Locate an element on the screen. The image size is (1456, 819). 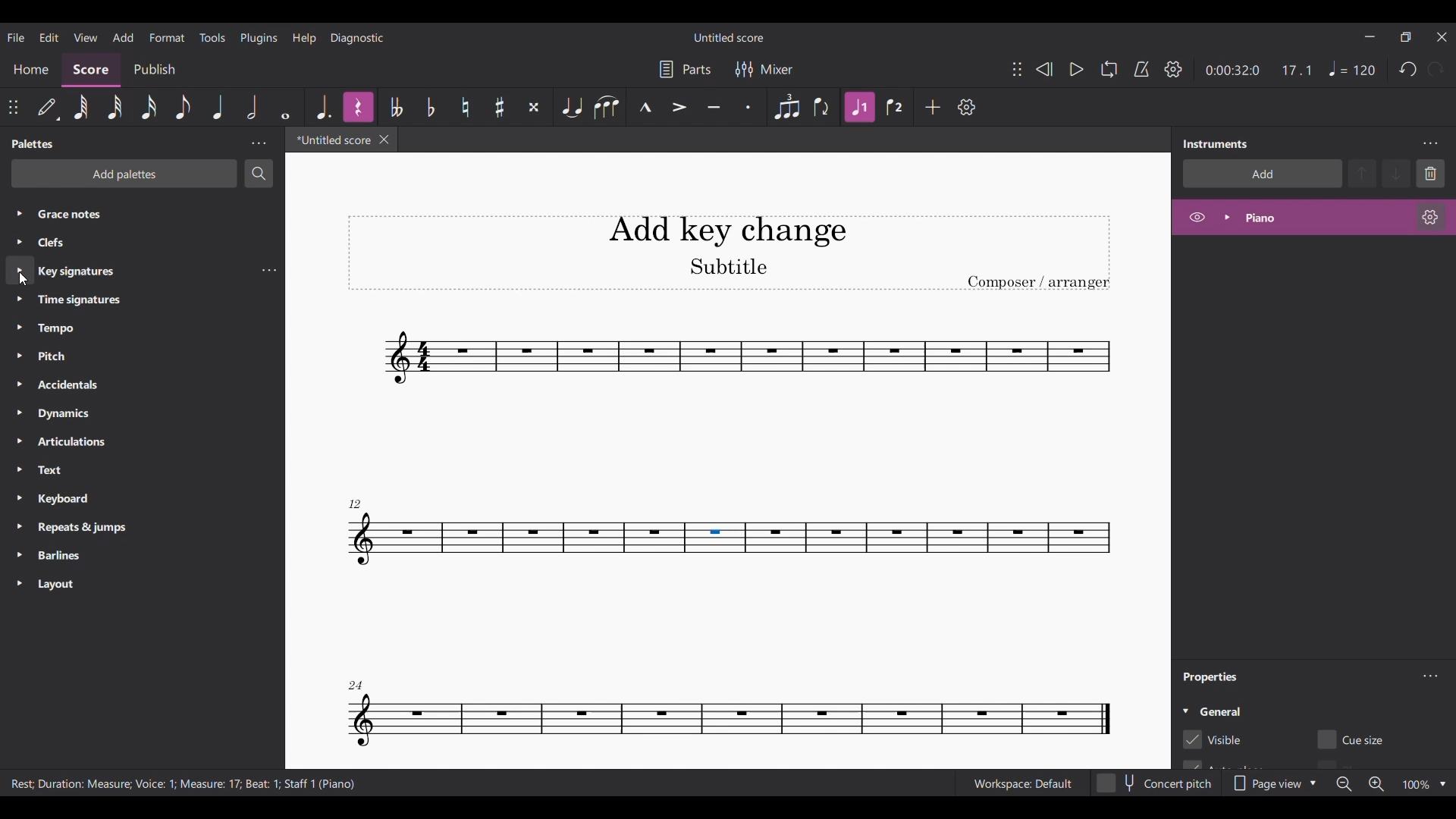
Toggle double flat is located at coordinates (396, 106).